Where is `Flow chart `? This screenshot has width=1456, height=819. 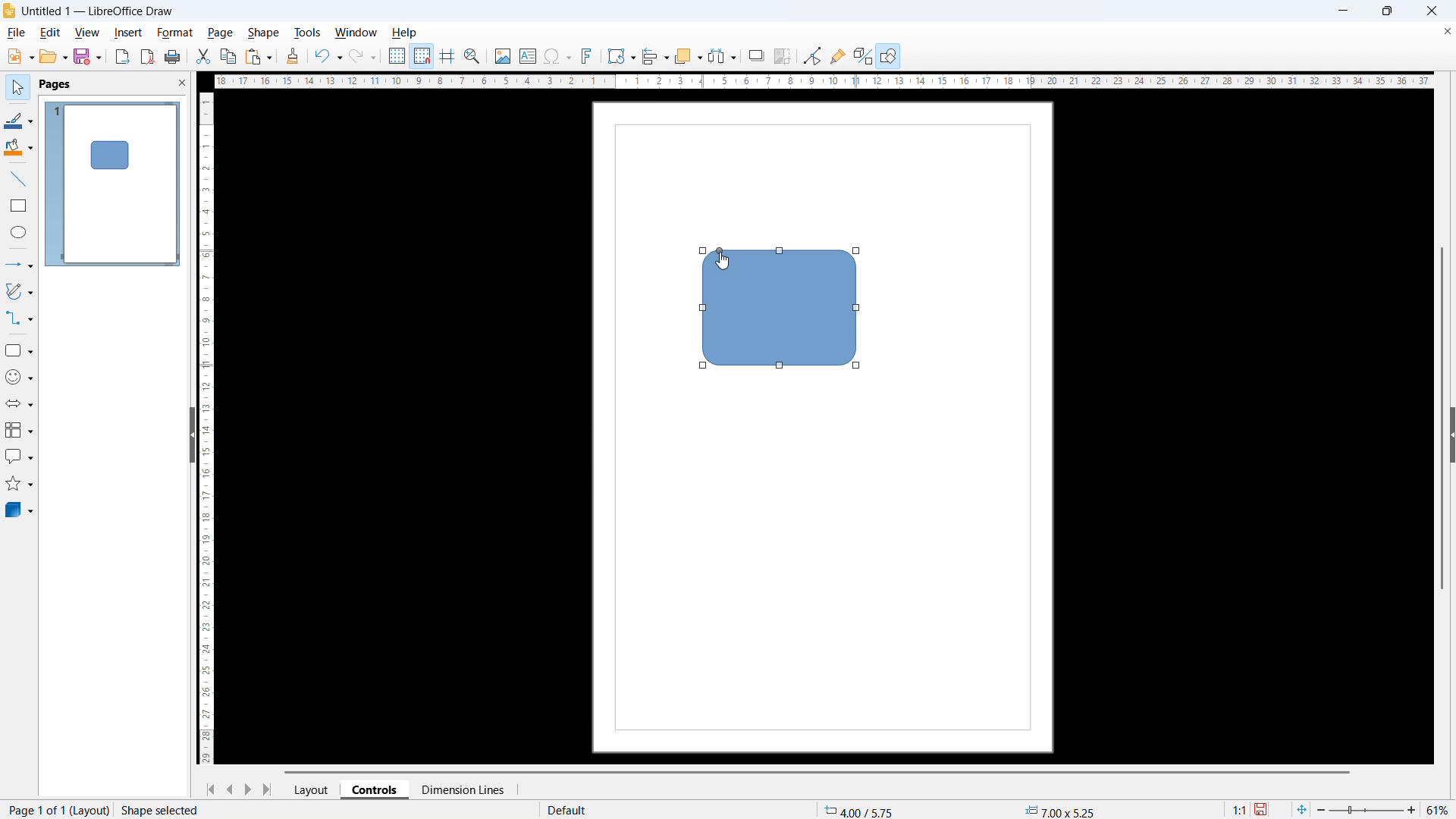
Flow chart  is located at coordinates (18, 431).